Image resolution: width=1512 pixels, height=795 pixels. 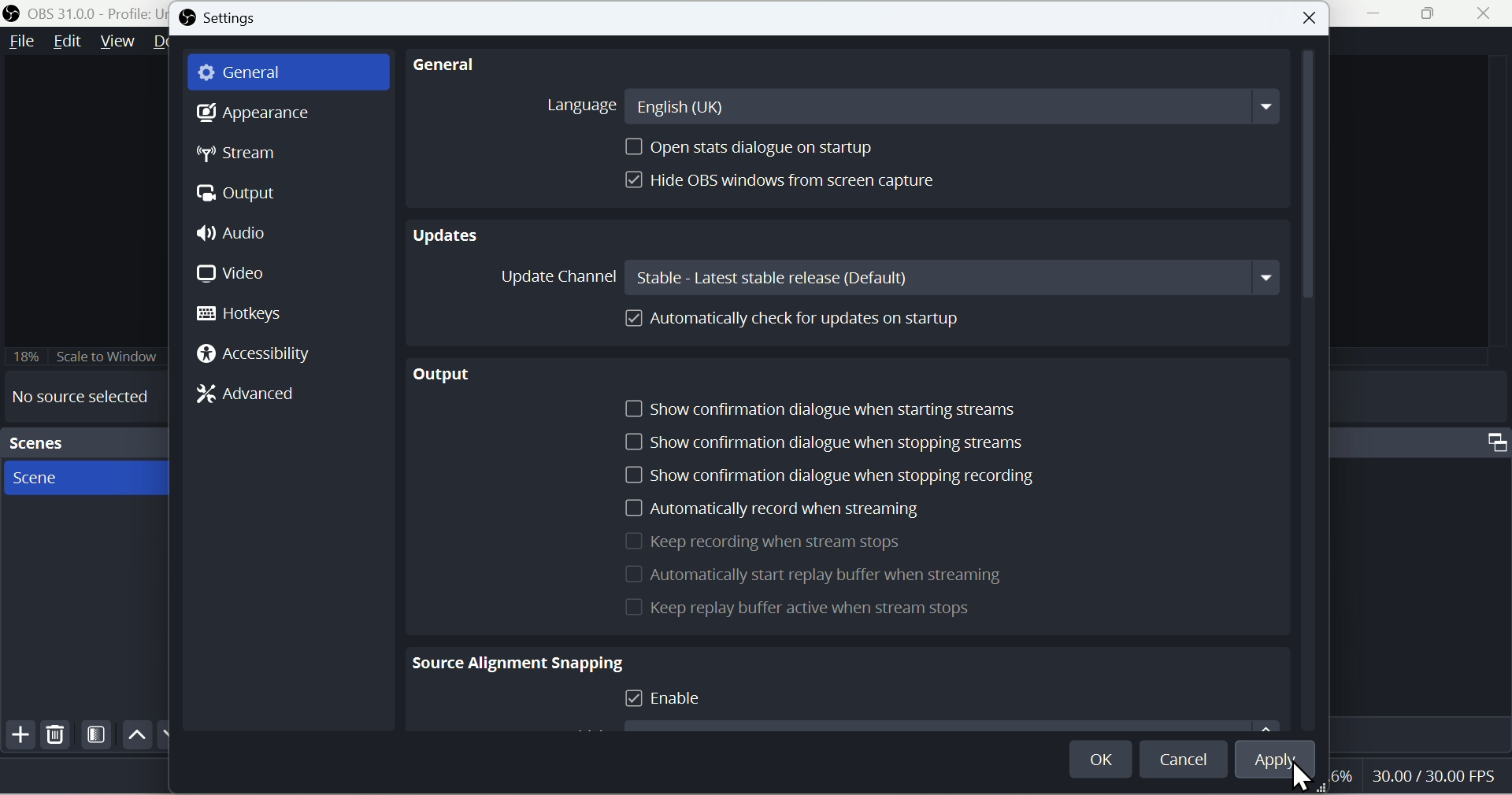 What do you see at coordinates (86, 13) in the screenshot?
I see `OBS 31.0.0 - Policy Untitled - Scene : New Scene` at bounding box center [86, 13].